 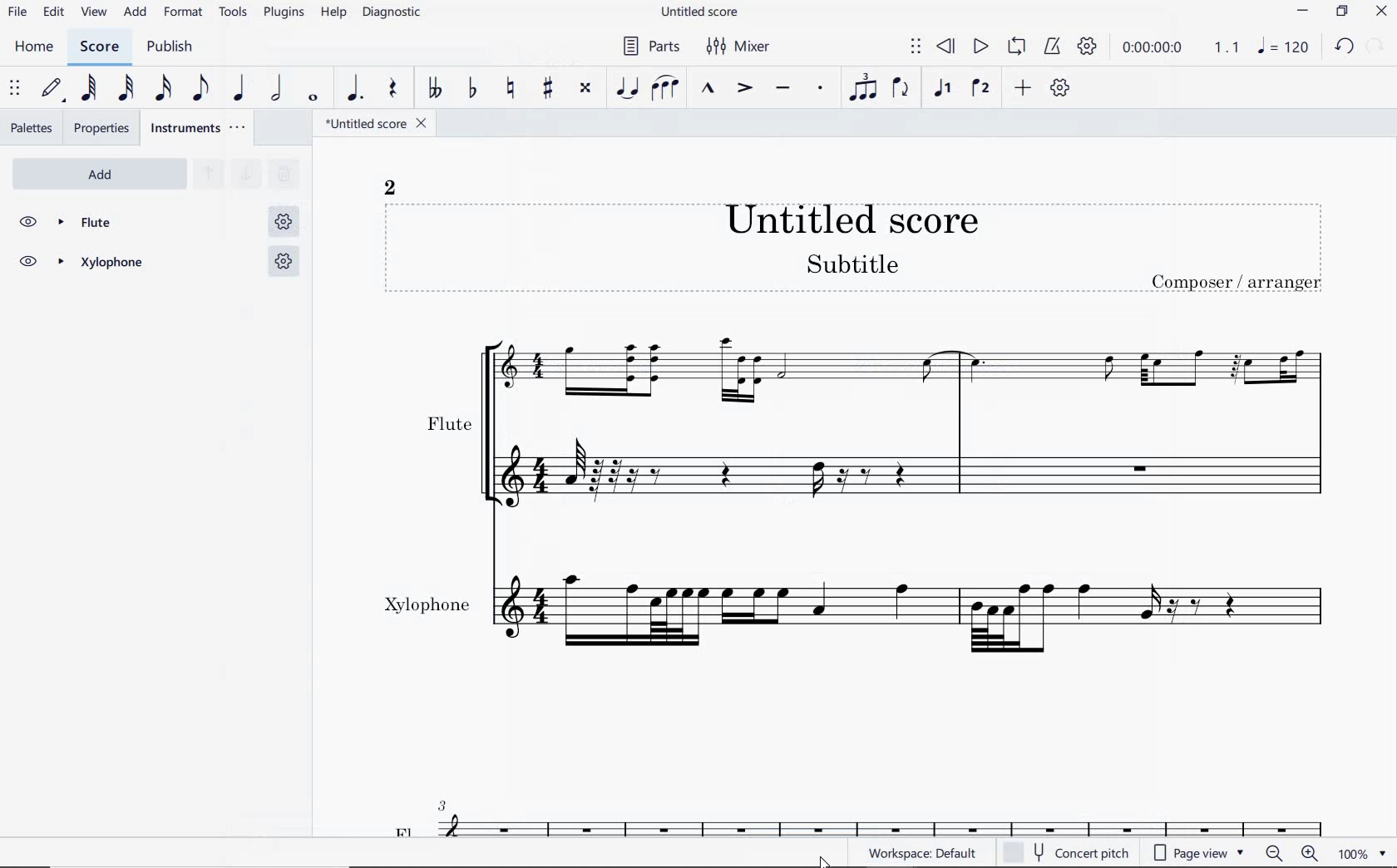 What do you see at coordinates (586, 89) in the screenshot?
I see `TOGGLE DOUBLE-SHARP` at bounding box center [586, 89].